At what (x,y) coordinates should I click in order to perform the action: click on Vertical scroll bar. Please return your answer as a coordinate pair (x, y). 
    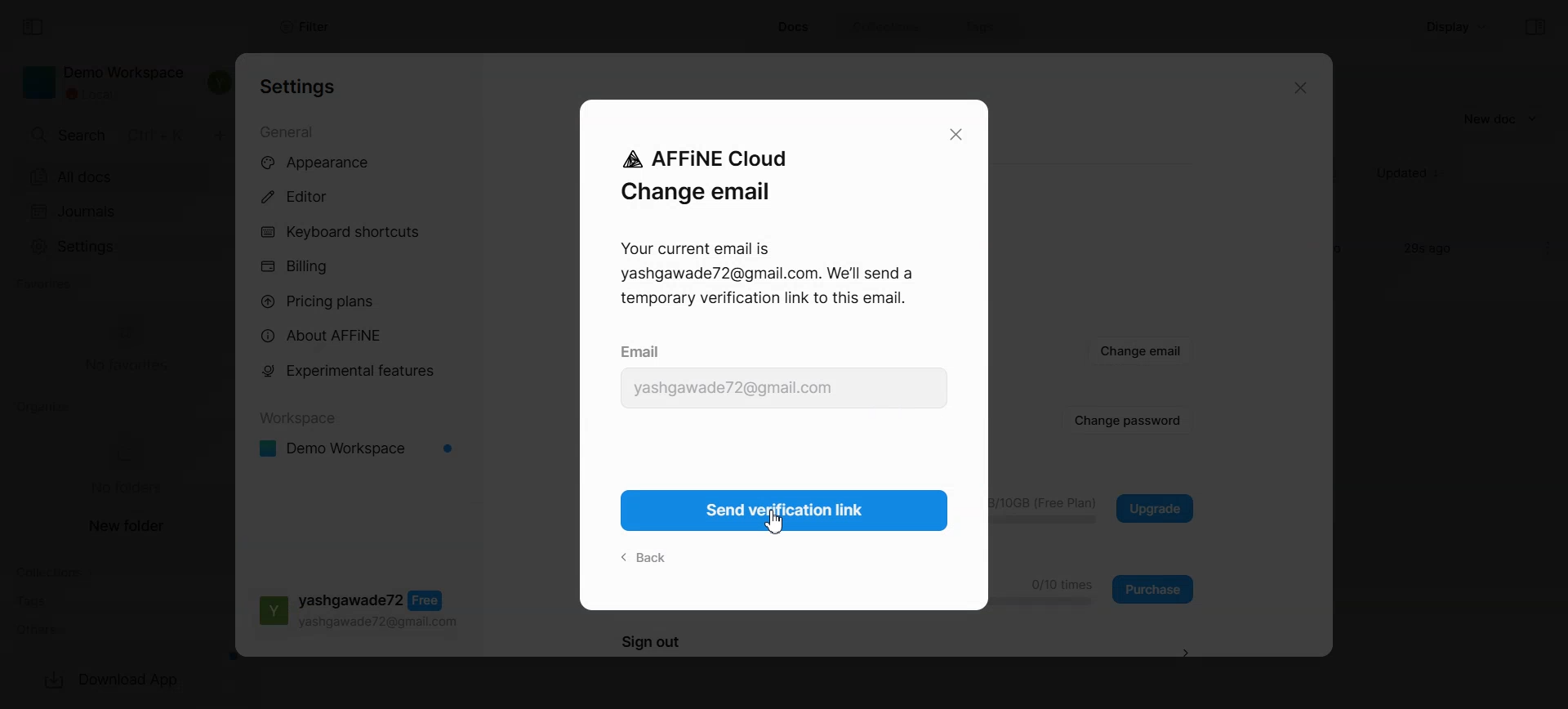
    Looking at the image, I should click on (1324, 356).